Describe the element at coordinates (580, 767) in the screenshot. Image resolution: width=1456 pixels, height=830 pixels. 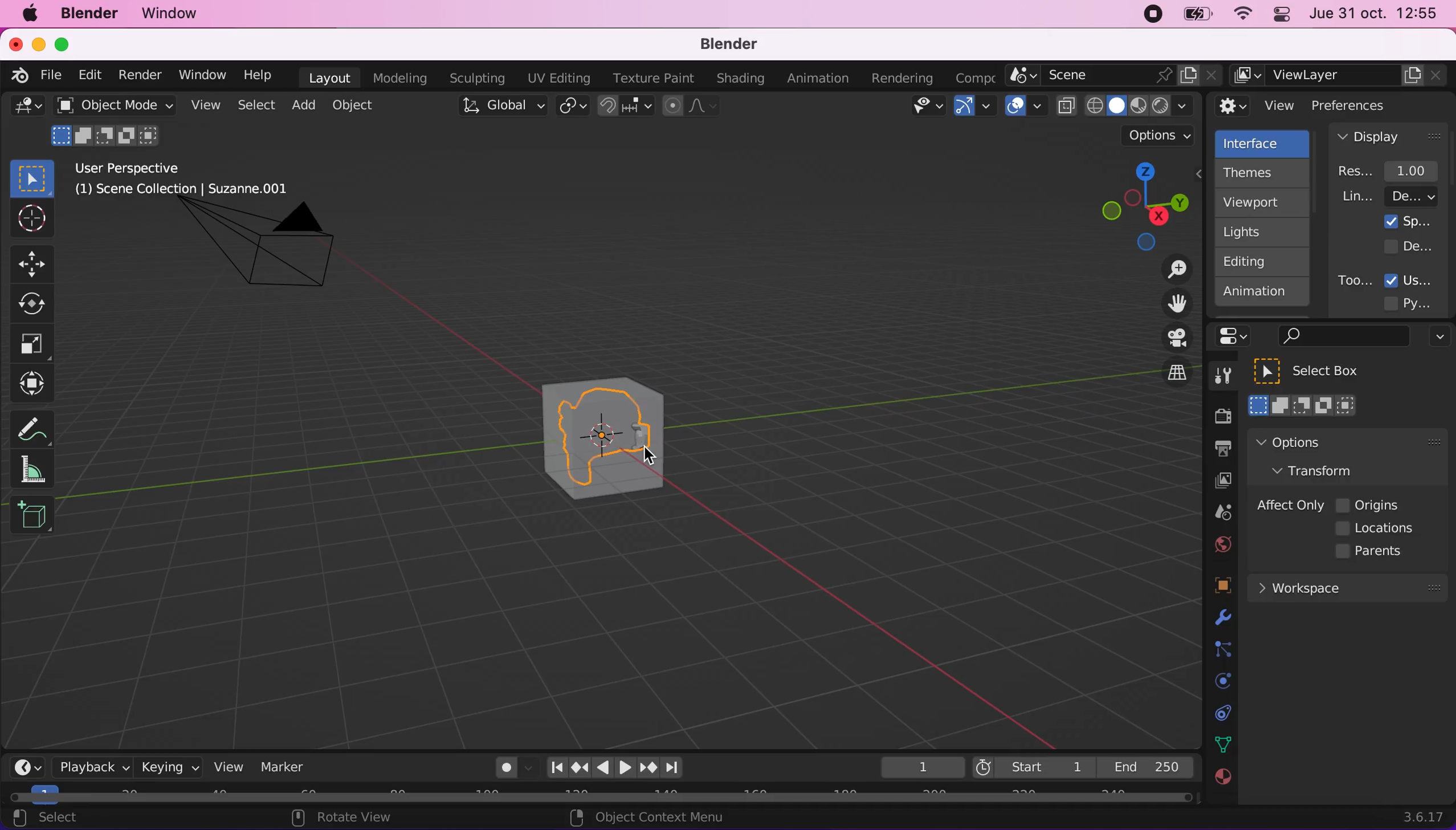
I see `jump to keyframe` at that location.